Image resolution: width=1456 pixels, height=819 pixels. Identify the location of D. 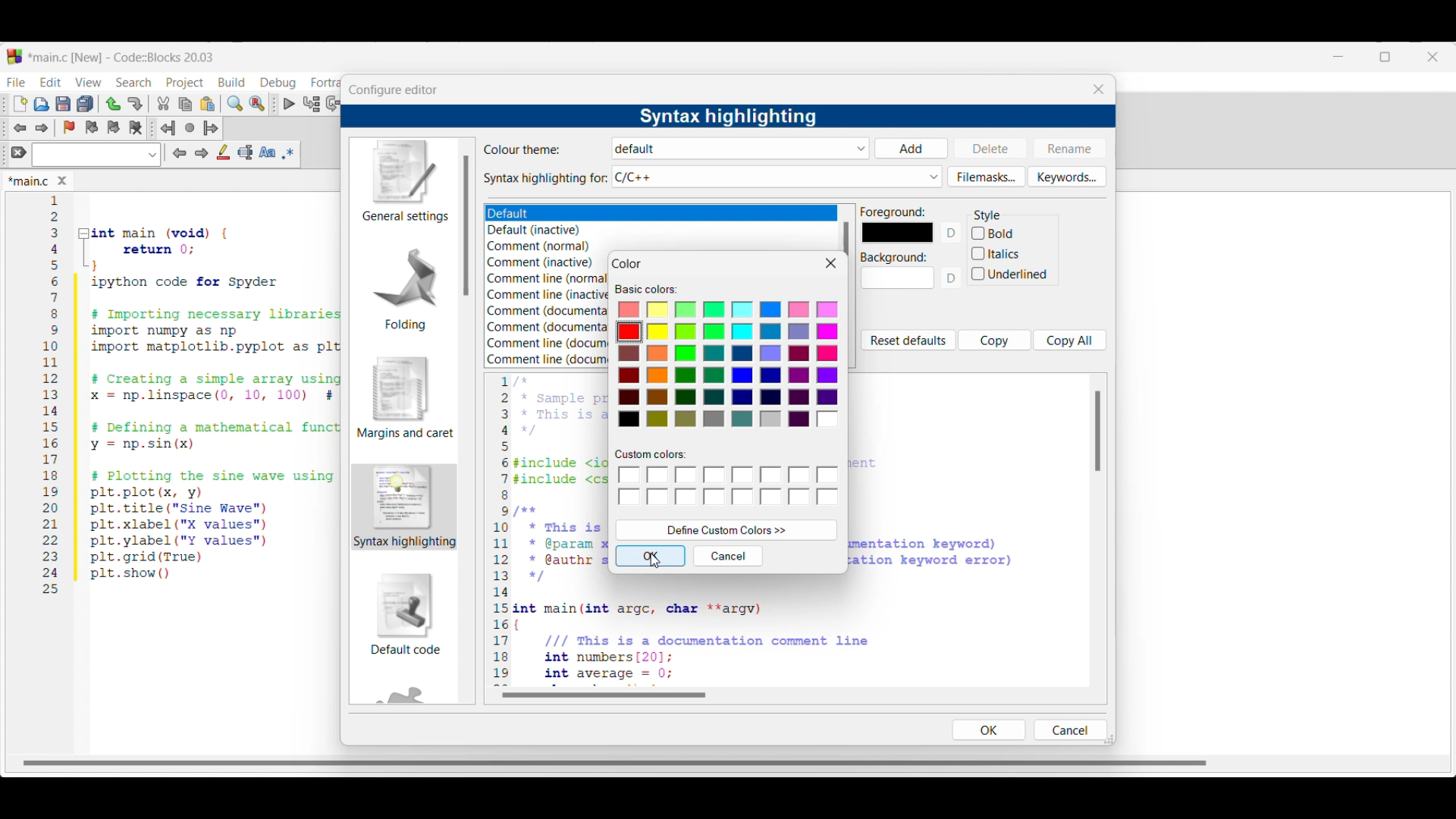
(953, 282).